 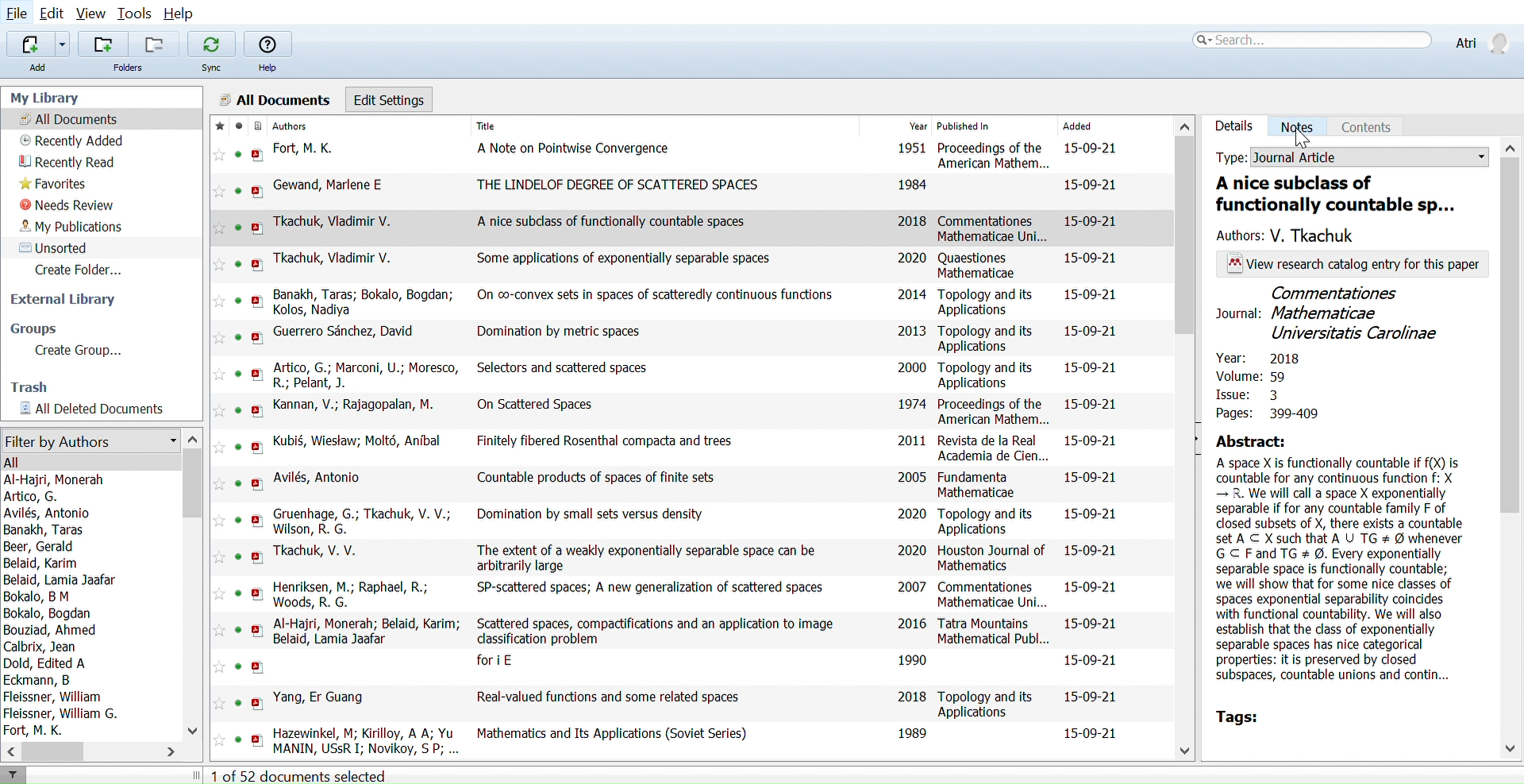 I want to click on 15-09-21, so click(x=1093, y=698).